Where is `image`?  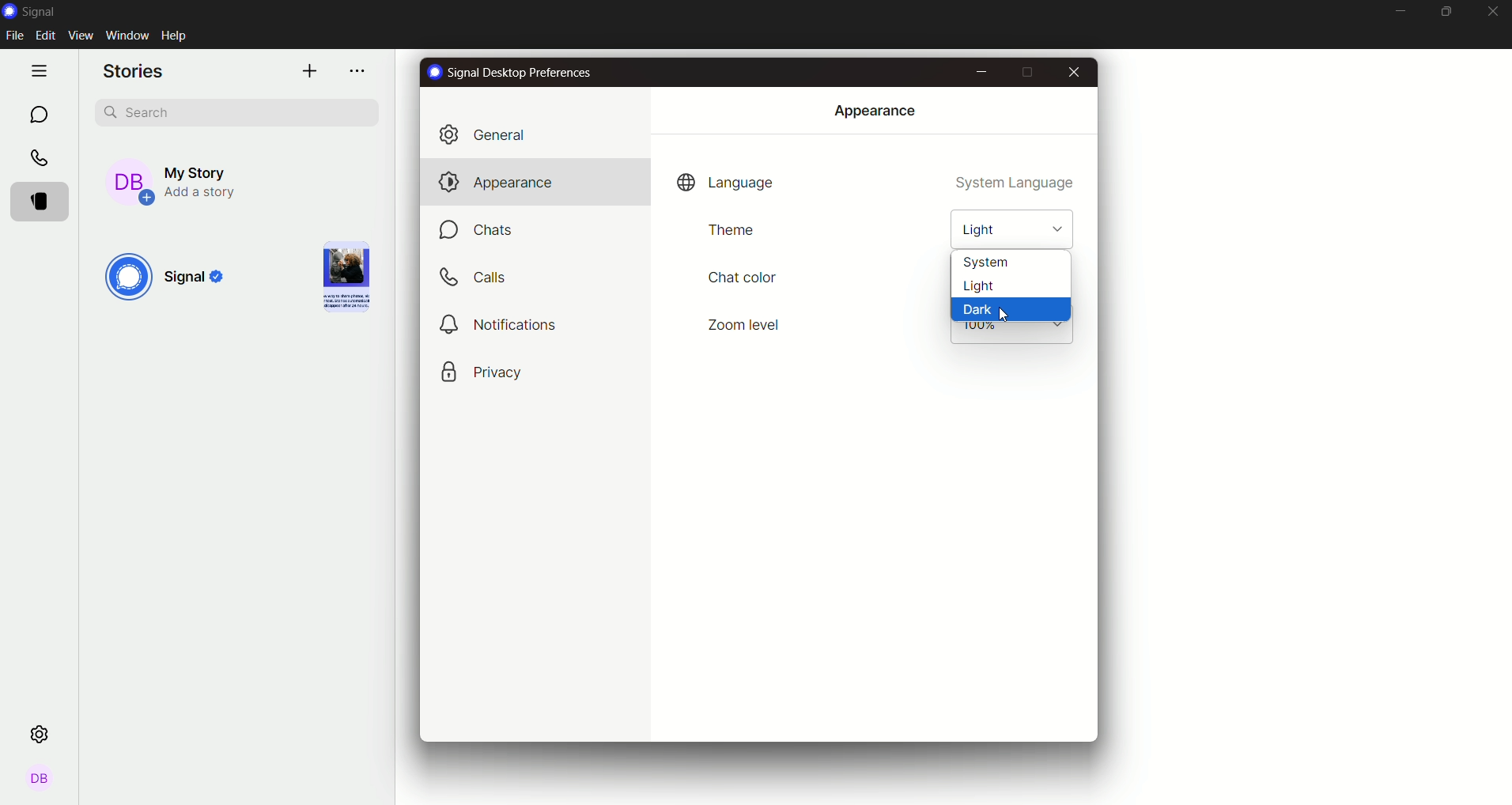 image is located at coordinates (342, 276).